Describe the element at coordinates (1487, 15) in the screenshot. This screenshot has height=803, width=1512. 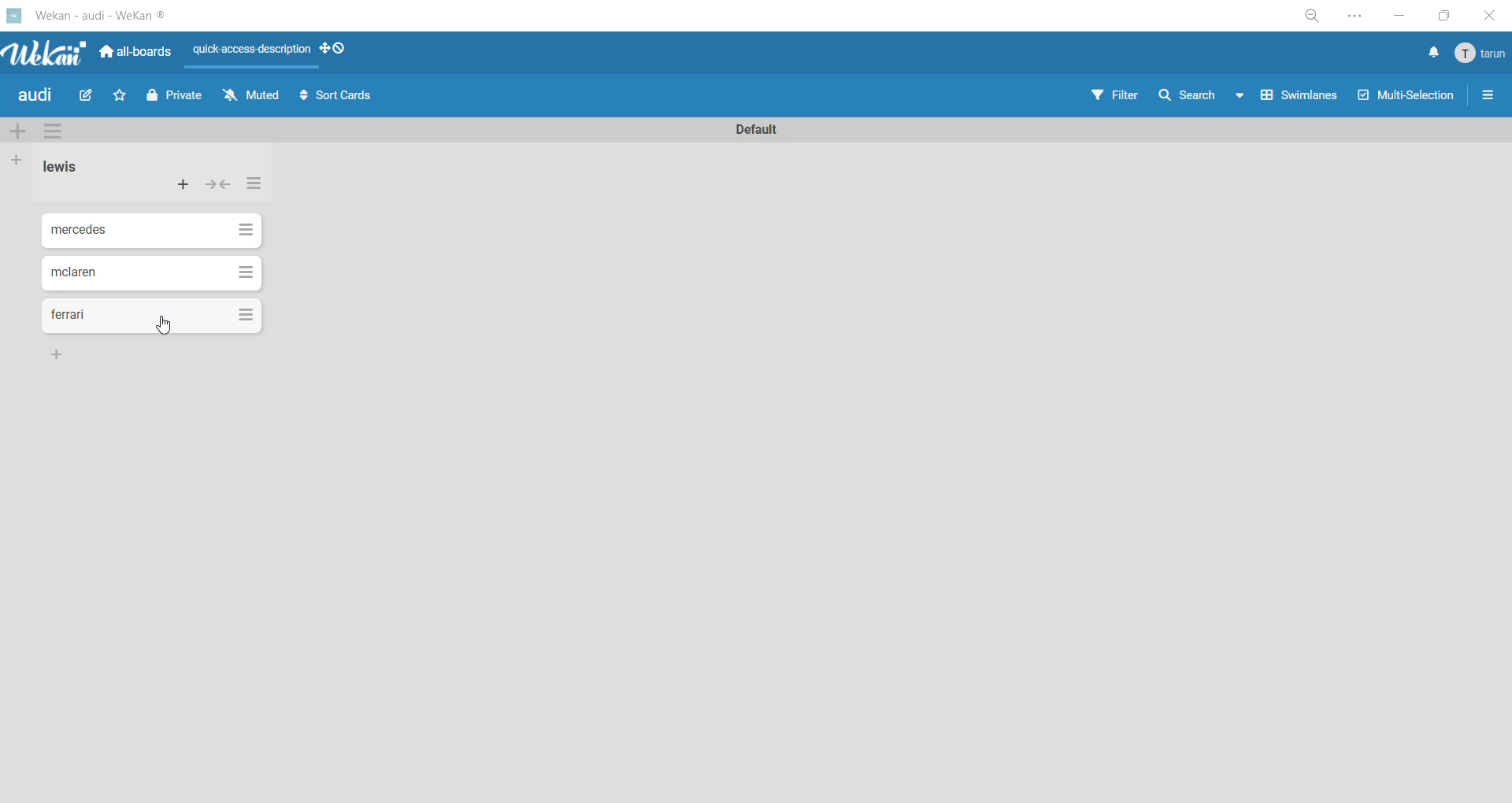
I see `close` at that location.